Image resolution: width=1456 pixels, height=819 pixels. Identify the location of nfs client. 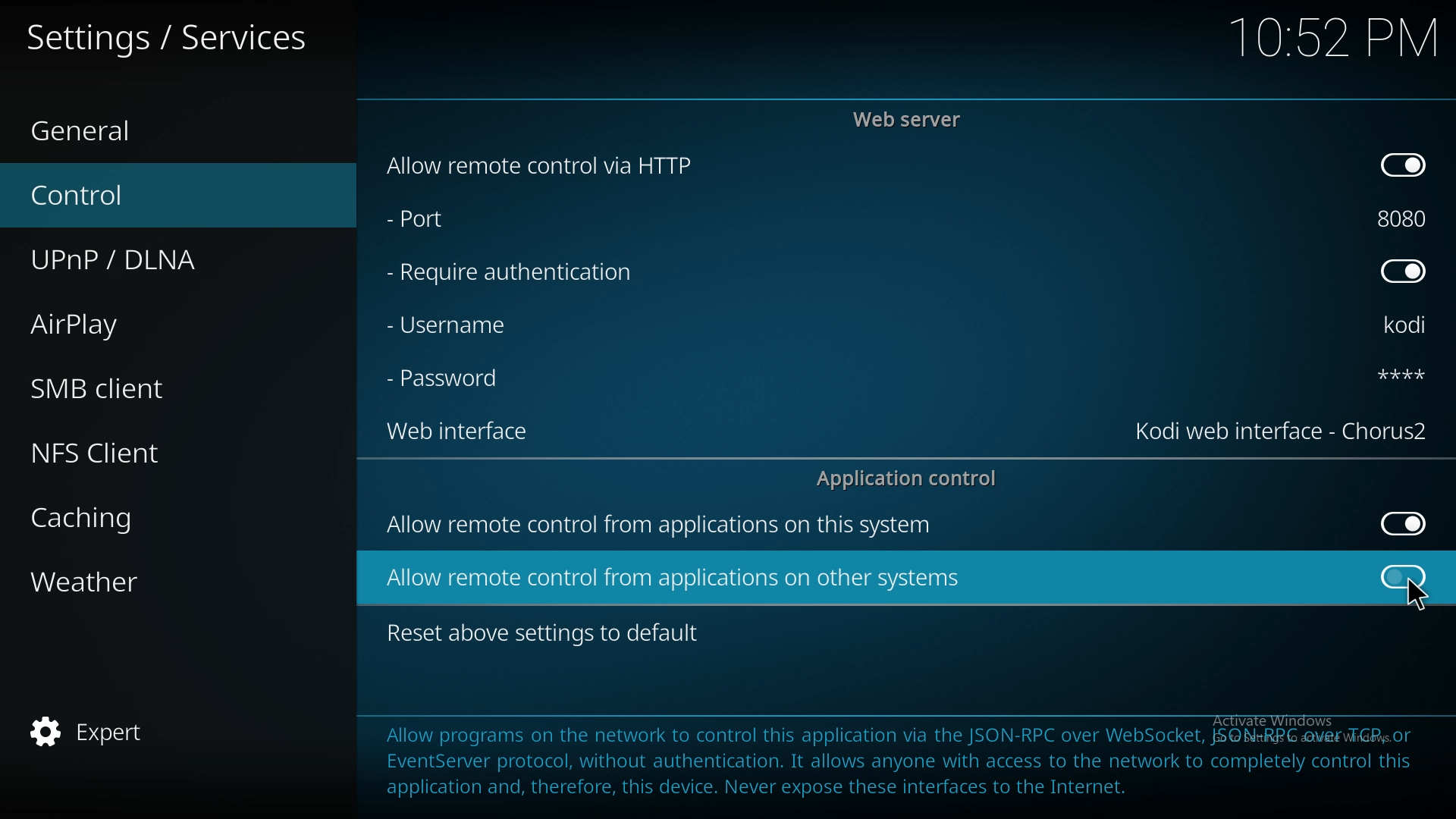
(159, 451).